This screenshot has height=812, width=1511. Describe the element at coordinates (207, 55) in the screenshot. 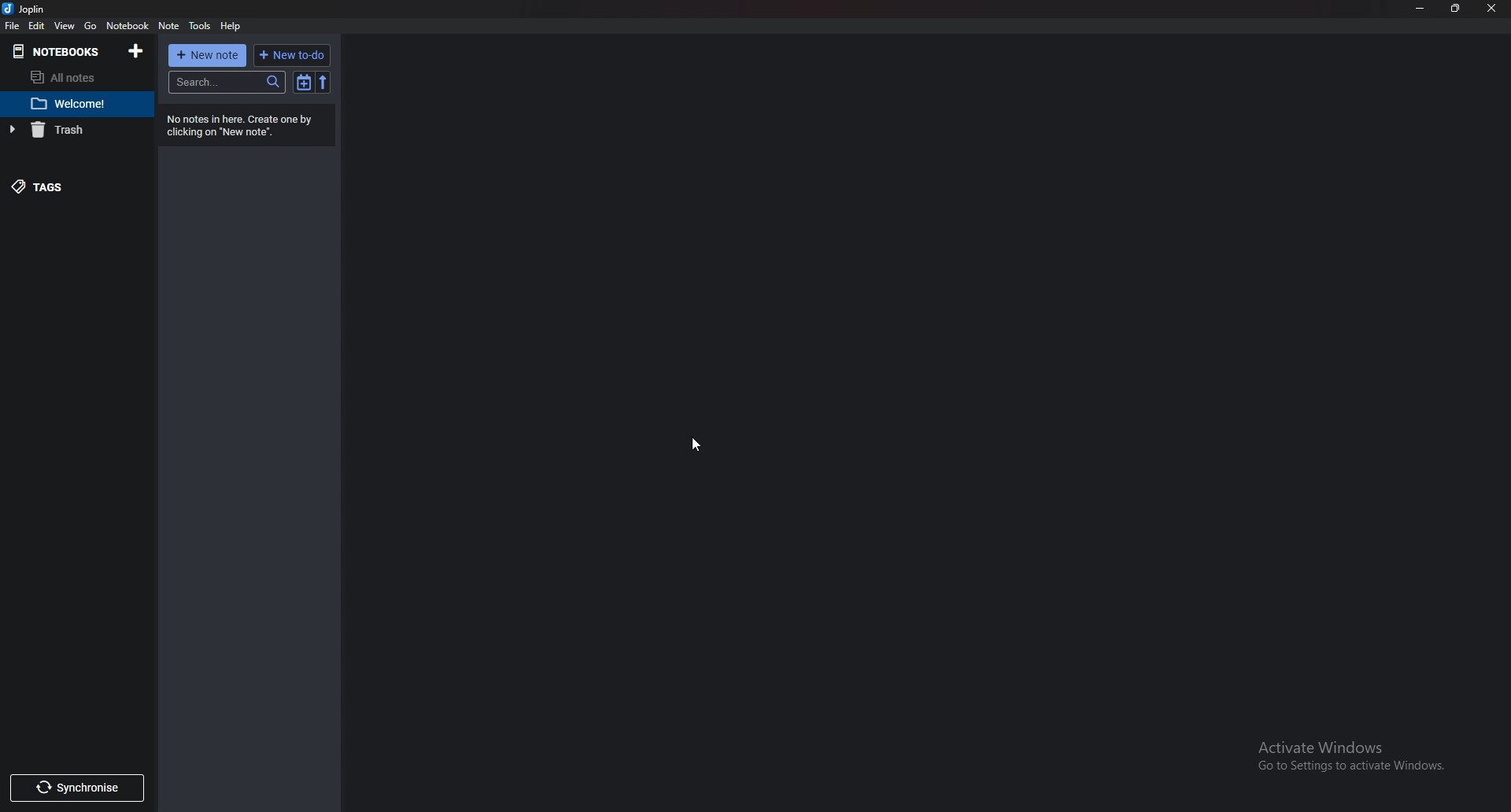

I see `New note` at that location.